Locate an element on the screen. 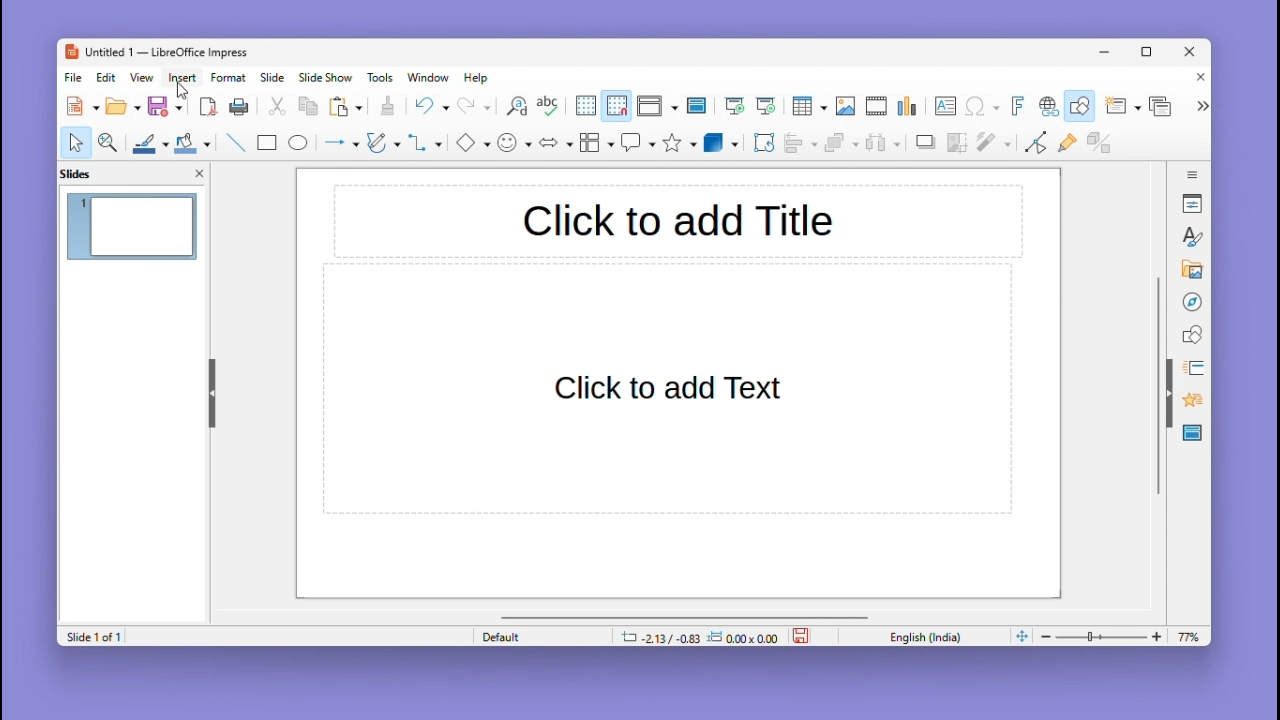 The image size is (1280, 720). Default is located at coordinates (539, 636).